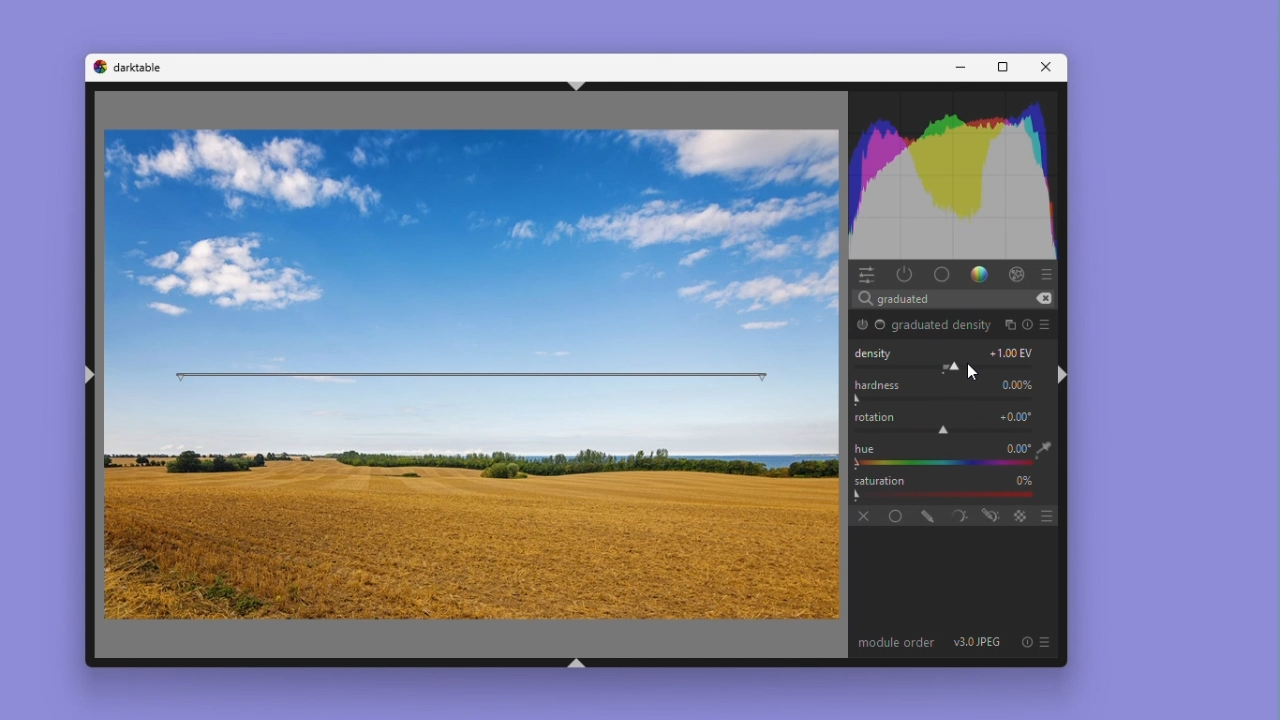  What do you see at coordinates (959, 67) in the screenshot?
I see `Minimise` at bounding box center [959, 67].